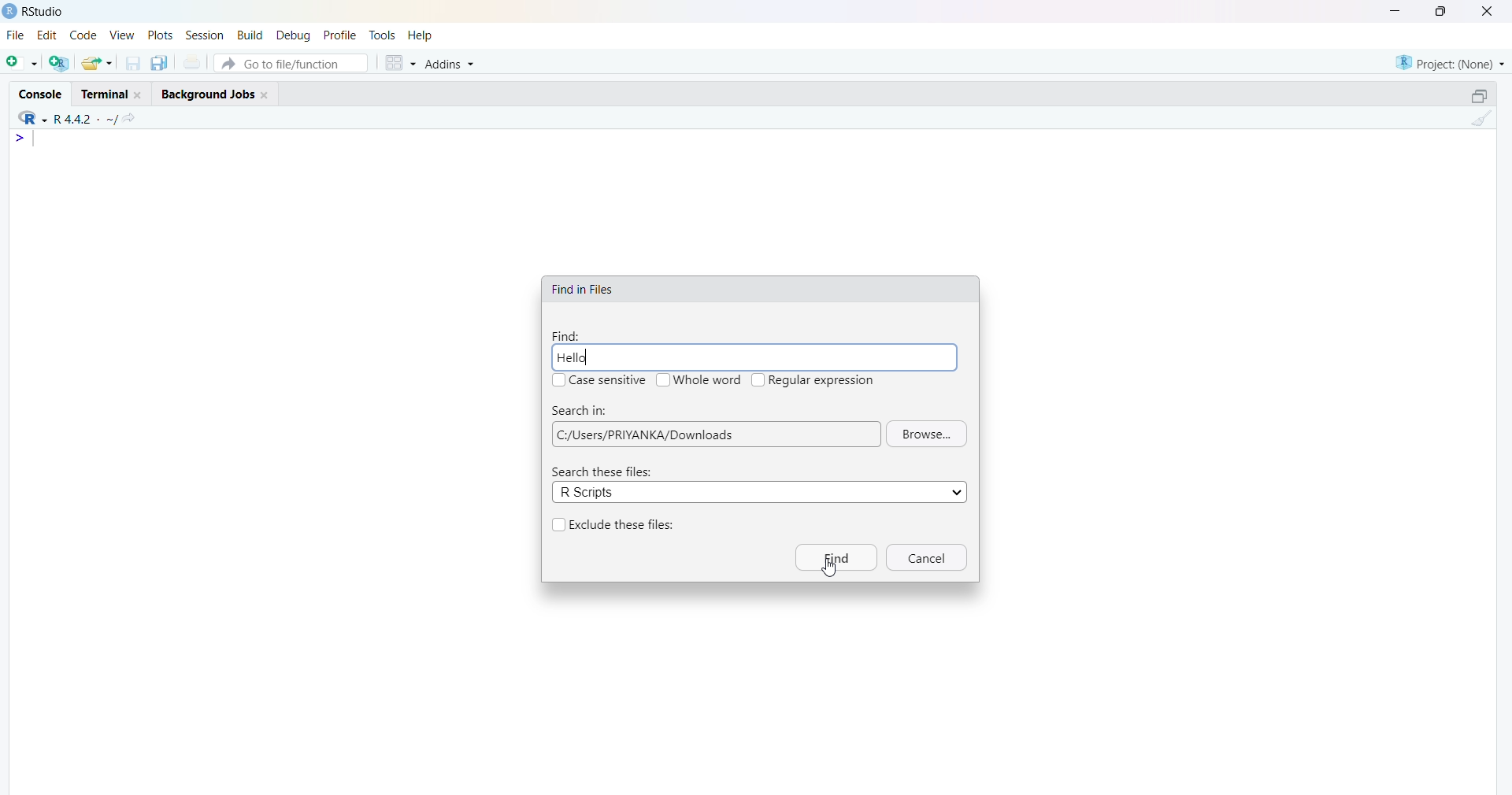  Describe the element at coordinates (292, 63) in the screenshot. I see `go to file/function` at that location.